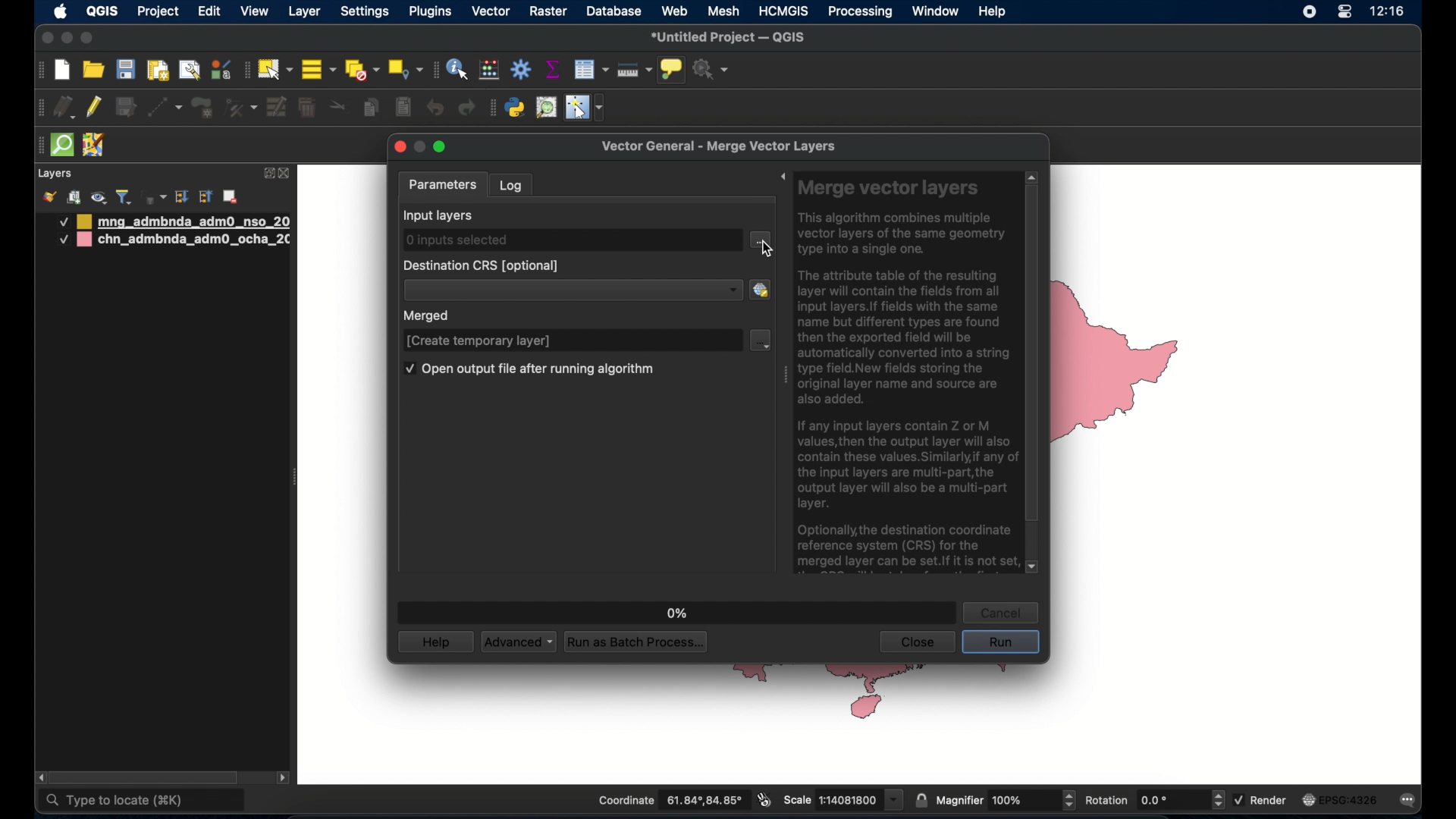 This screenshot has height=819, width=1456. I want to click on [create temporary layer], so click(479, 340).